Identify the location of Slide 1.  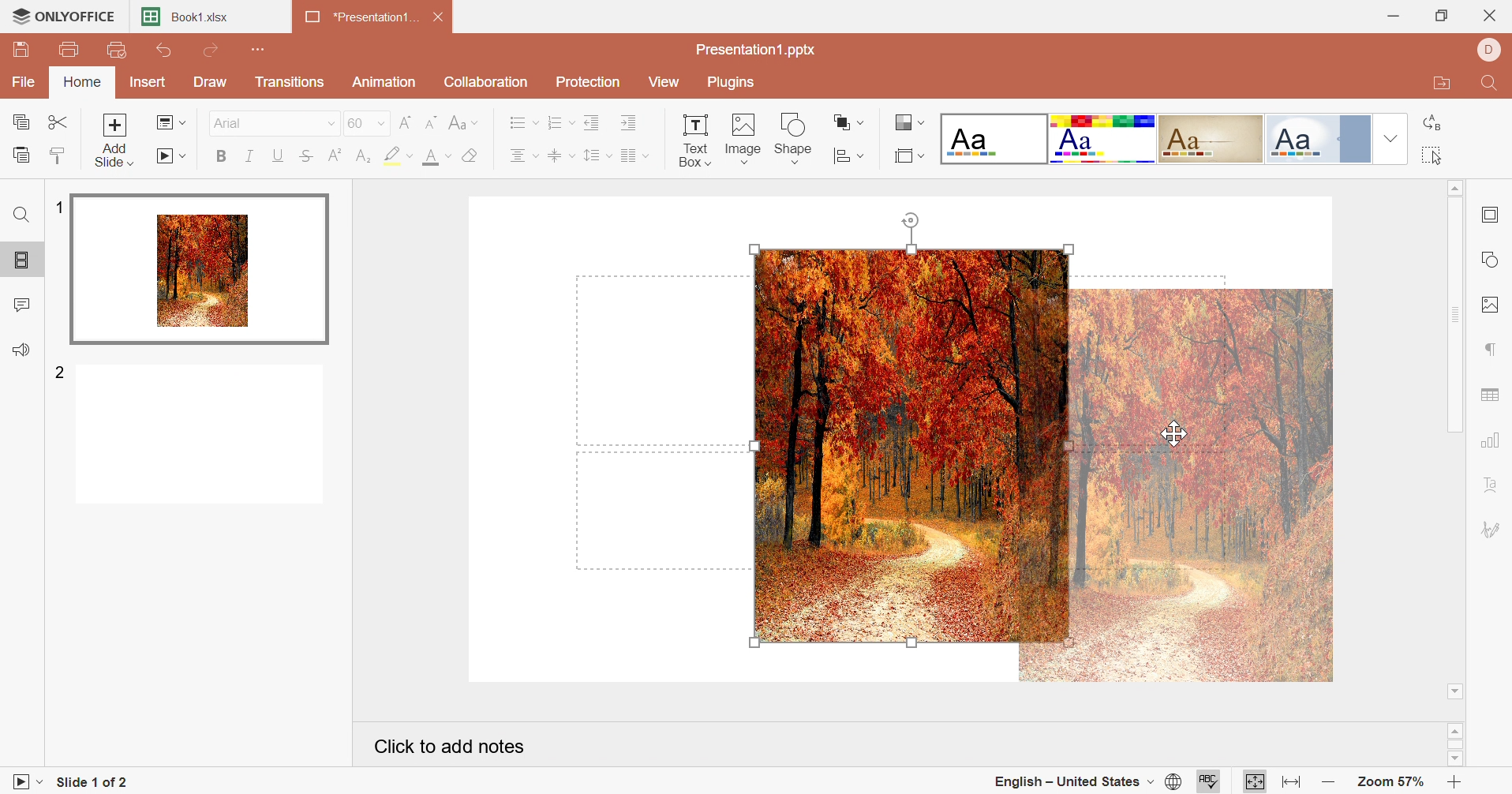
(201, 271).